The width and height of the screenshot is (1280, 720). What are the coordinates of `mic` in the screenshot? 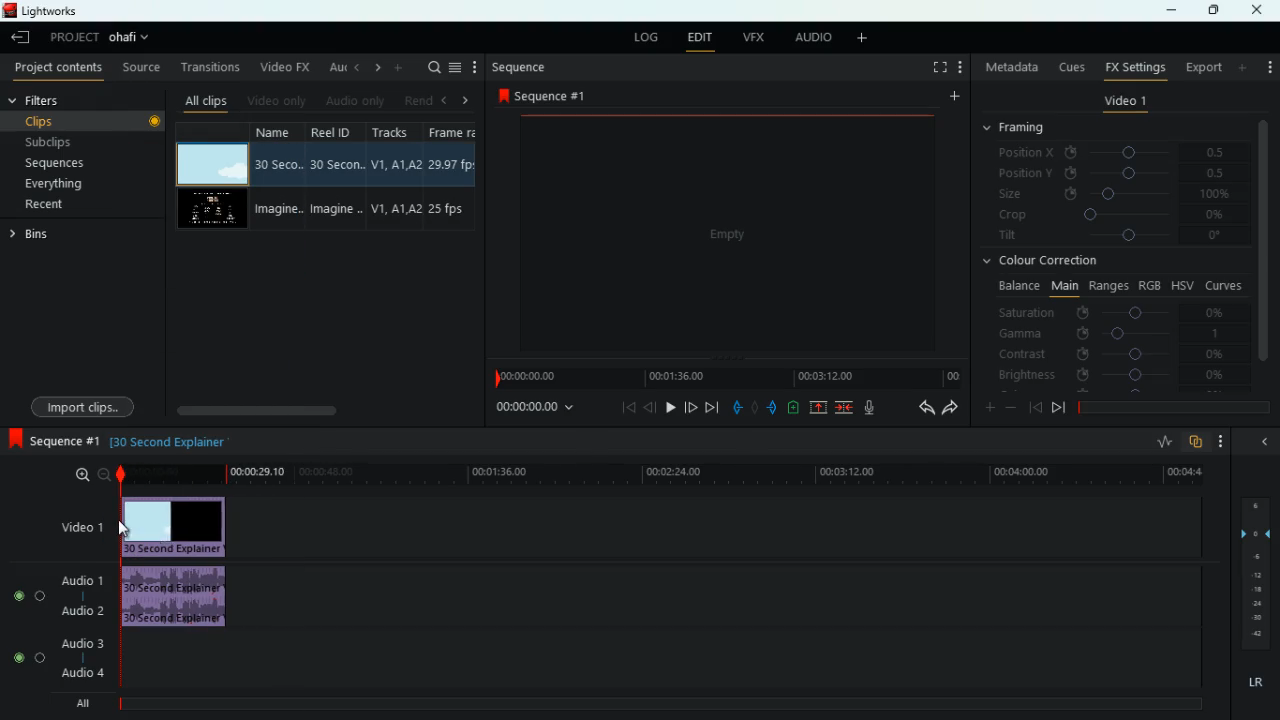 It's located at (866, 408).